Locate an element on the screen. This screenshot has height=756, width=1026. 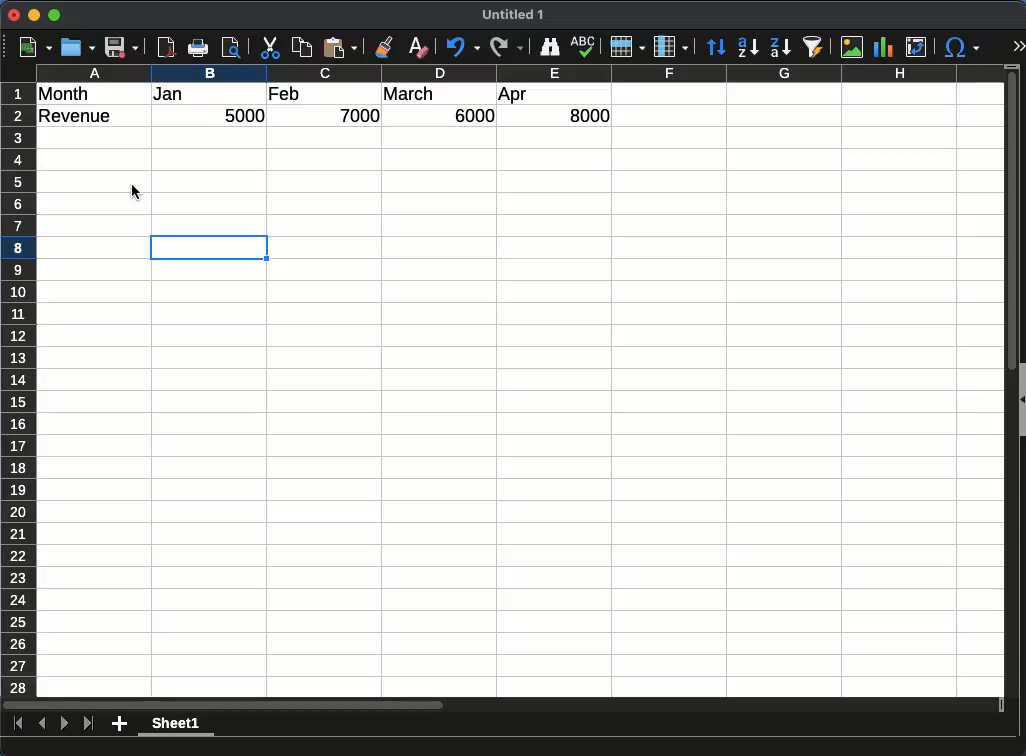
selected cell is located at coordinates (209, 247).